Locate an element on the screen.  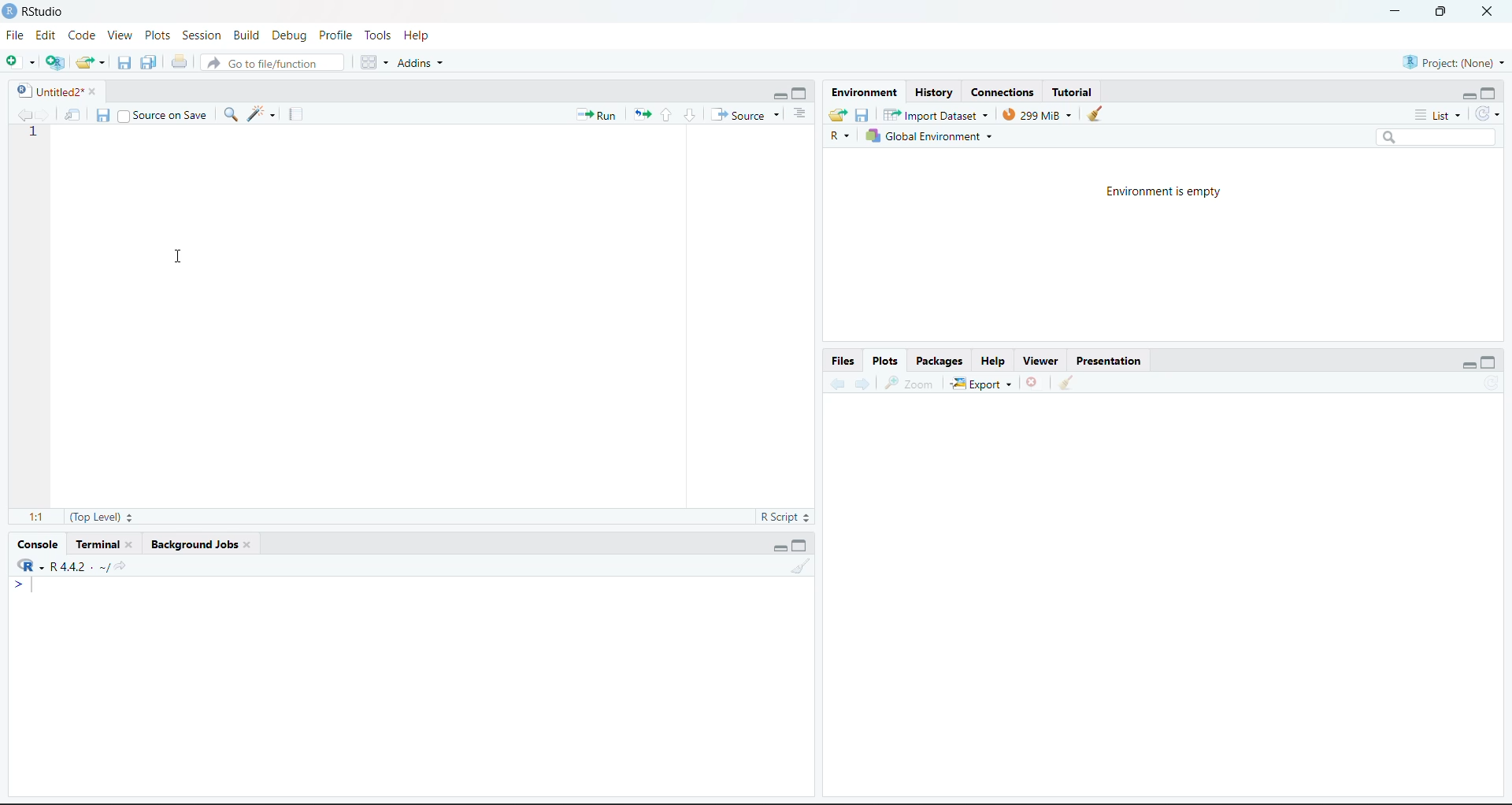
> is located at coordinates (20, 583).